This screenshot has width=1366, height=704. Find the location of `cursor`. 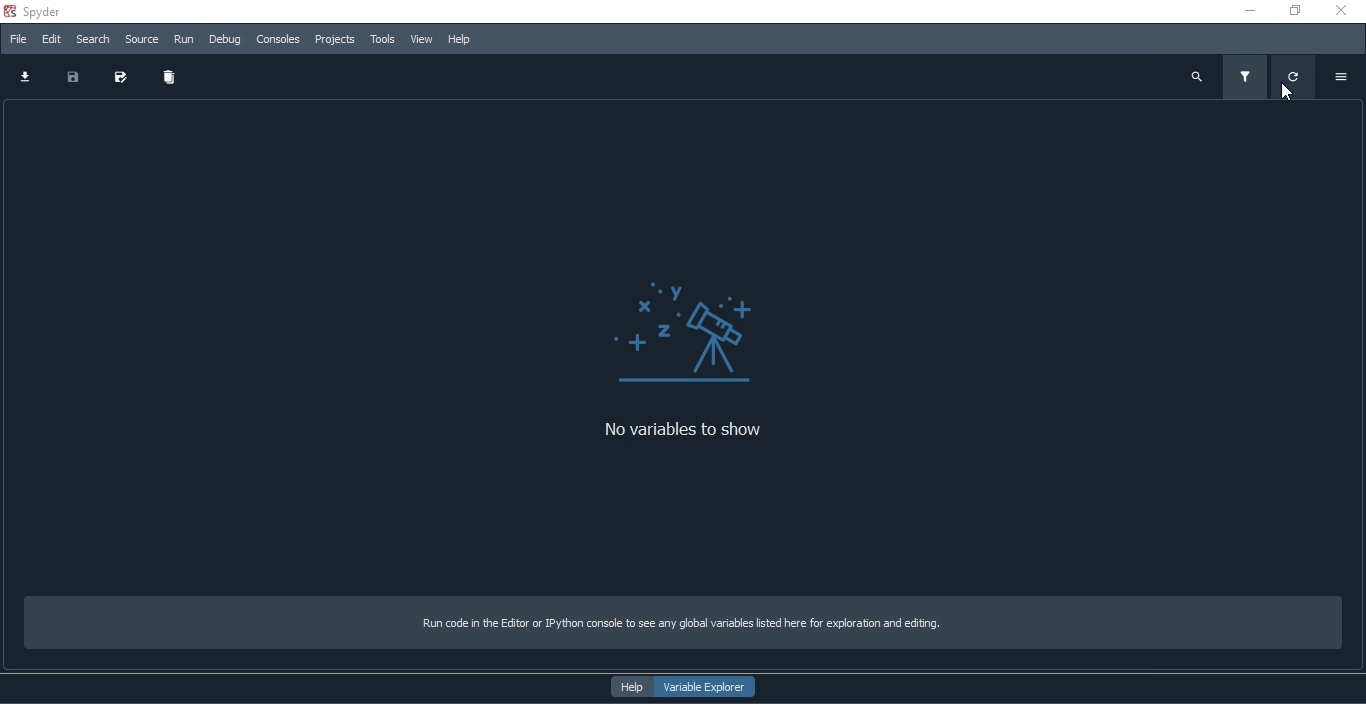

cursor is located at coordinates (1292, 92).